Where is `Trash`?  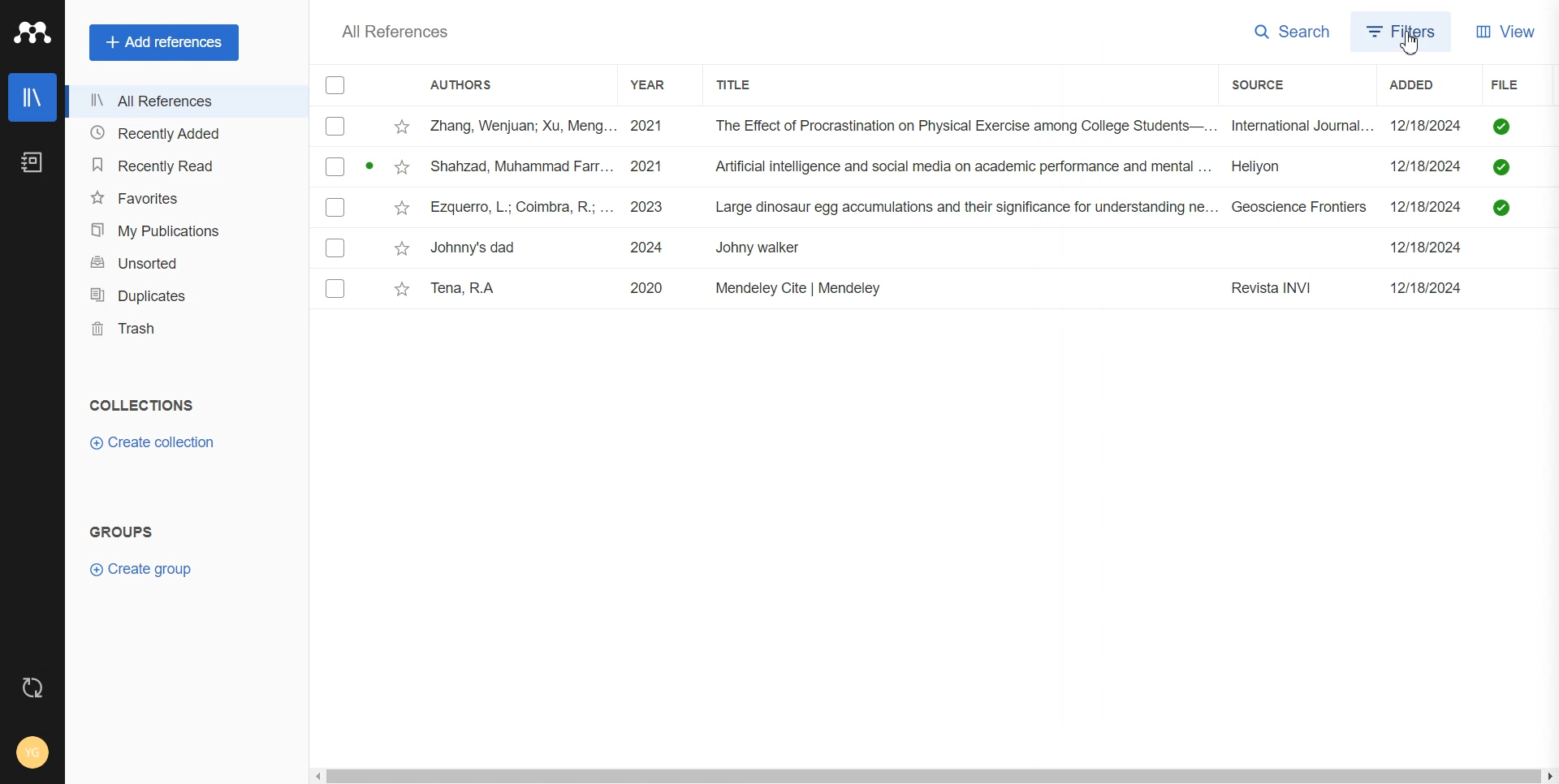 Trash is located at coordinates (184, 329).